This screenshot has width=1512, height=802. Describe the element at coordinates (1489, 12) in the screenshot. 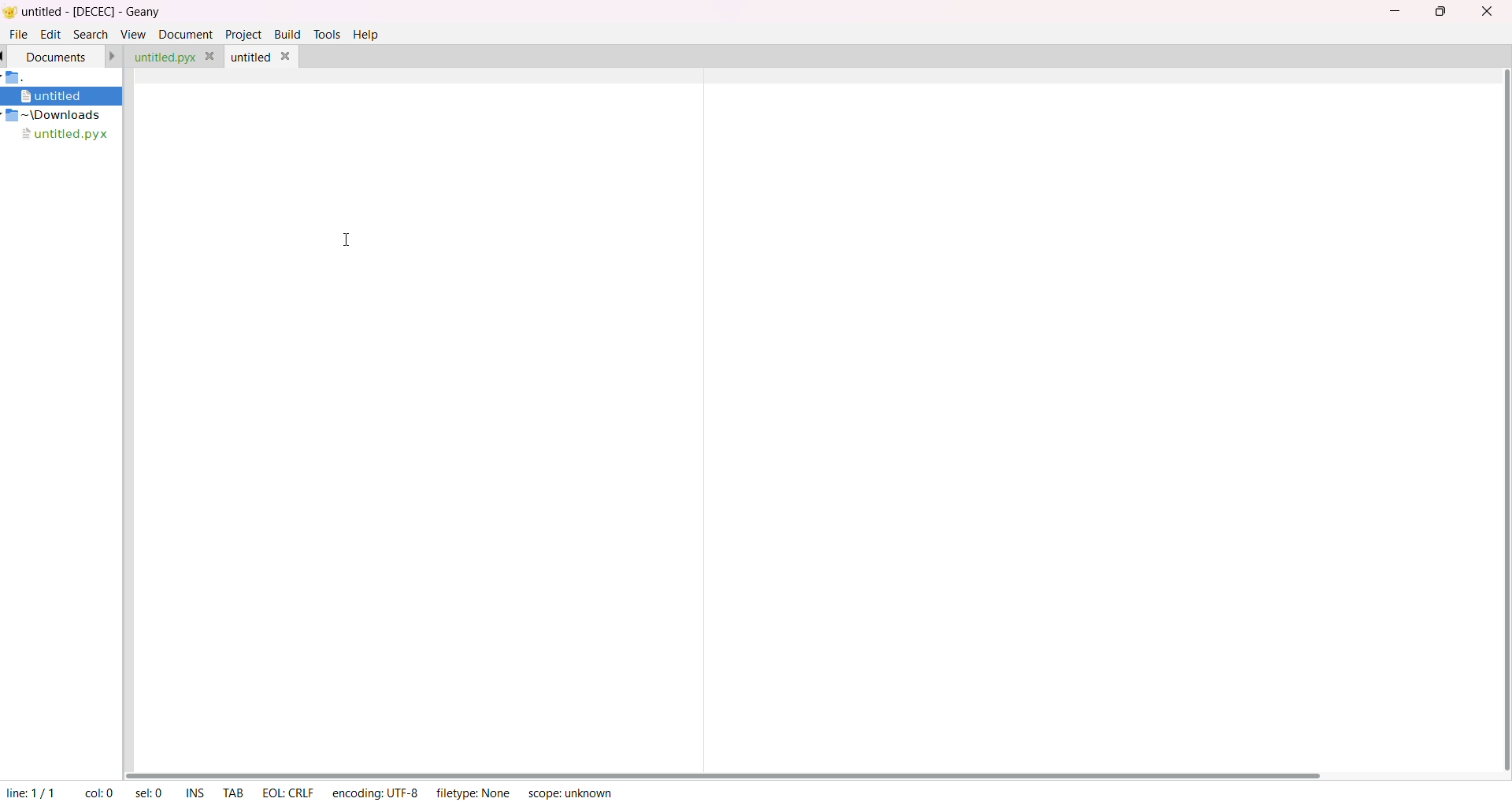

I see `close` at that location.